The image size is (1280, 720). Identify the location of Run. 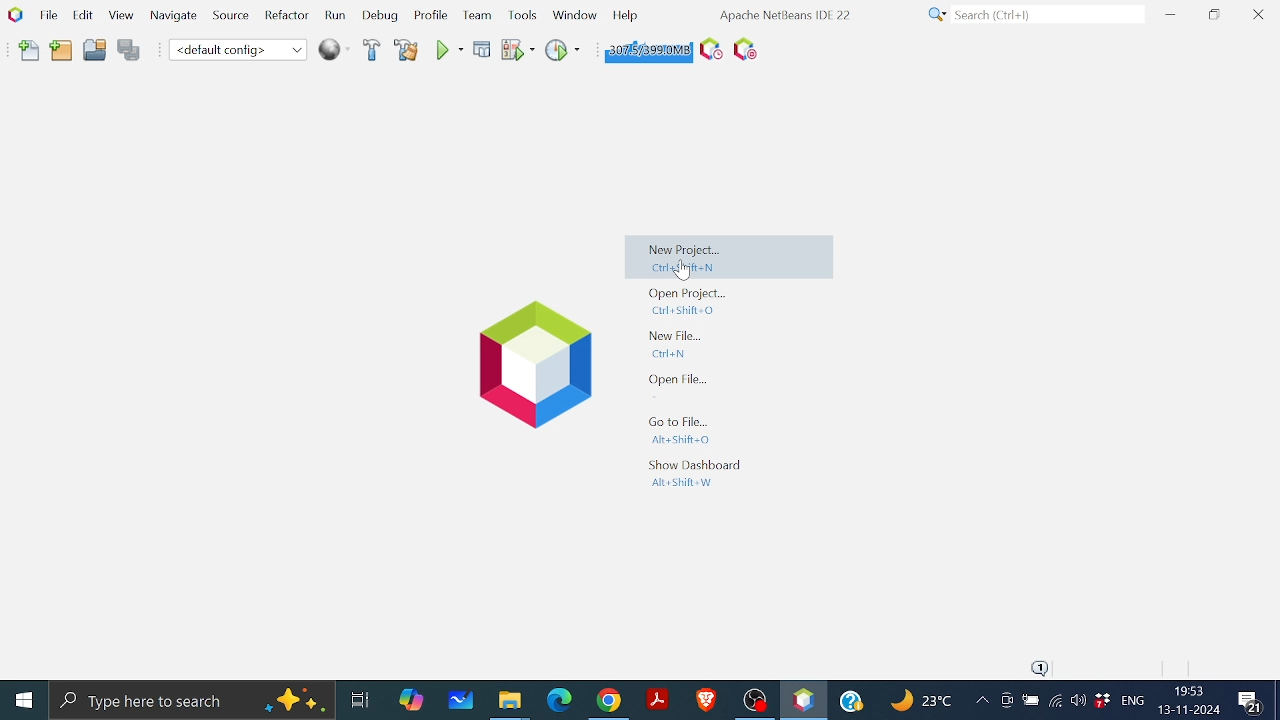
(448, 50).